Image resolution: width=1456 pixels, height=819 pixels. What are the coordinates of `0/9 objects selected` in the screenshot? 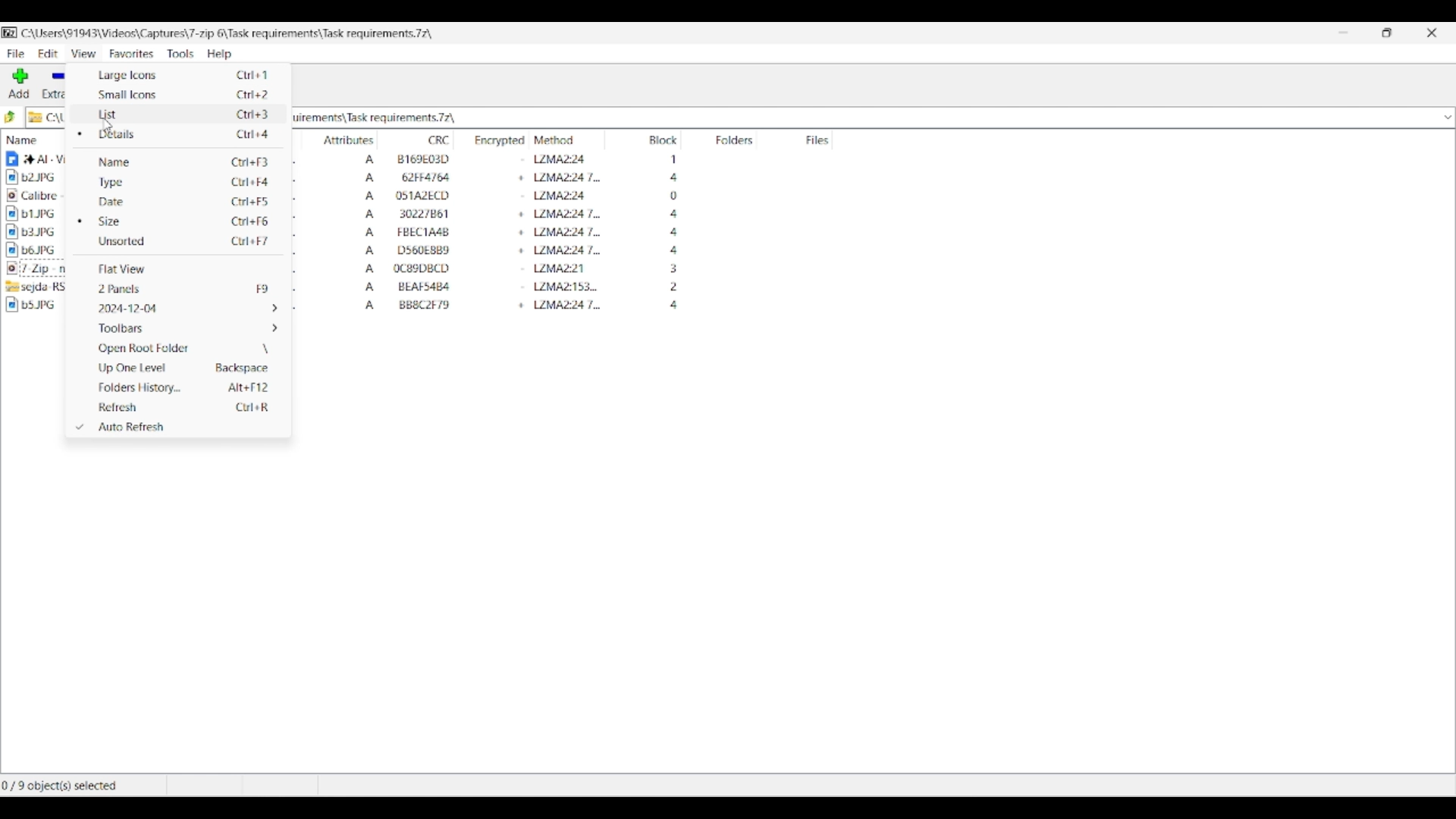 It's located at (65, 786).